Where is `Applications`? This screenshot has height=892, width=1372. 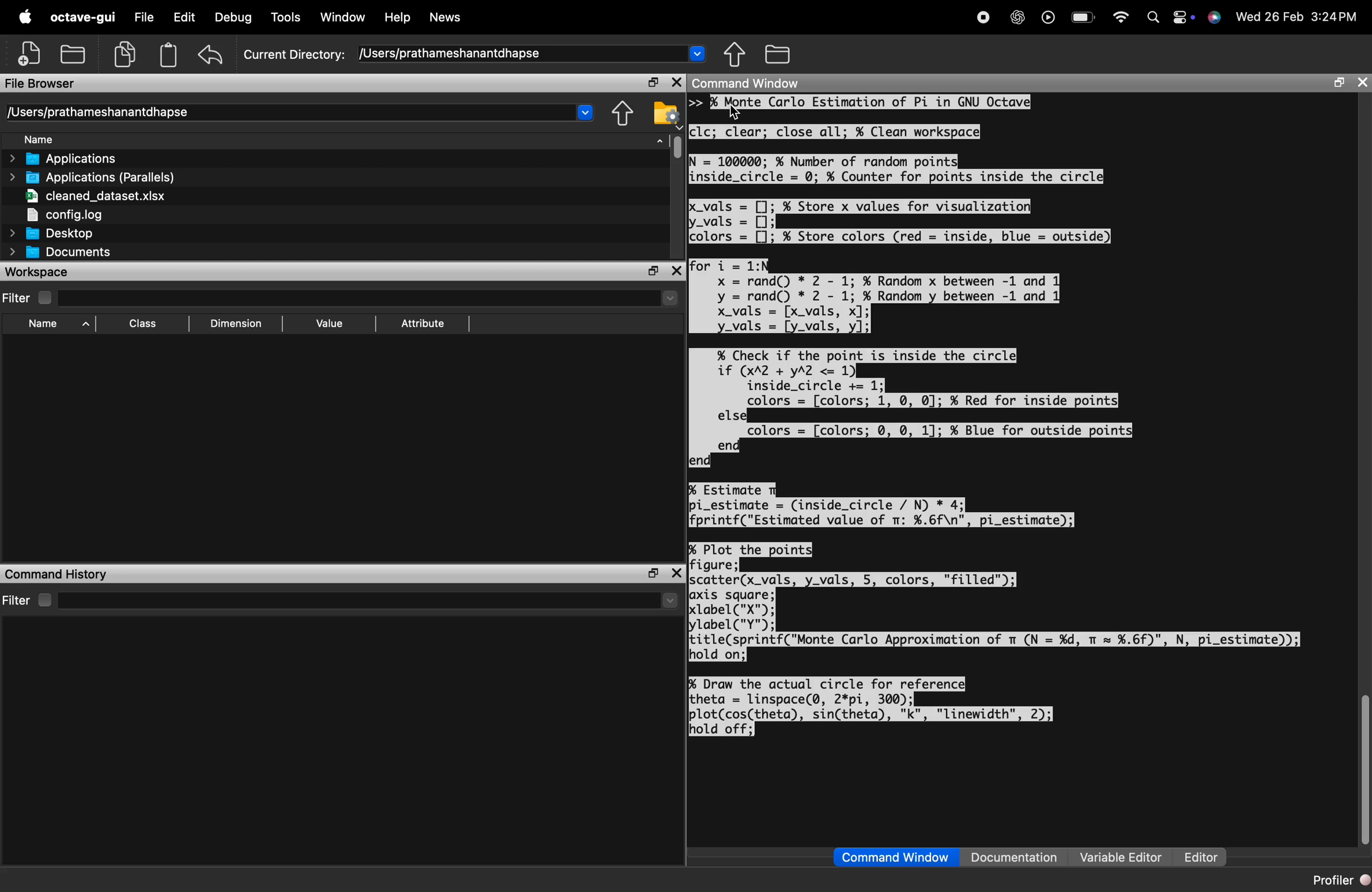
Applications is located at coordinates (70, 159).